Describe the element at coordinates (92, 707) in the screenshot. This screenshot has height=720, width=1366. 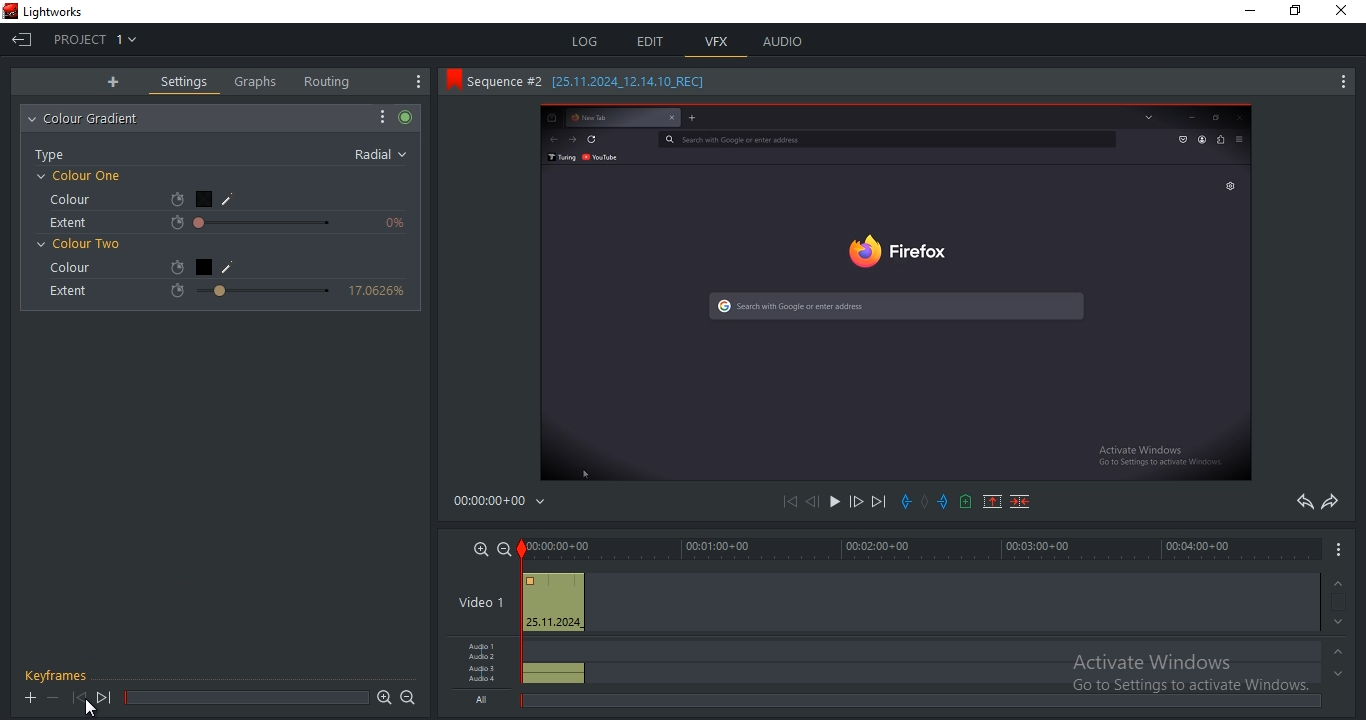
I see `Pointer Cursor` at that location.